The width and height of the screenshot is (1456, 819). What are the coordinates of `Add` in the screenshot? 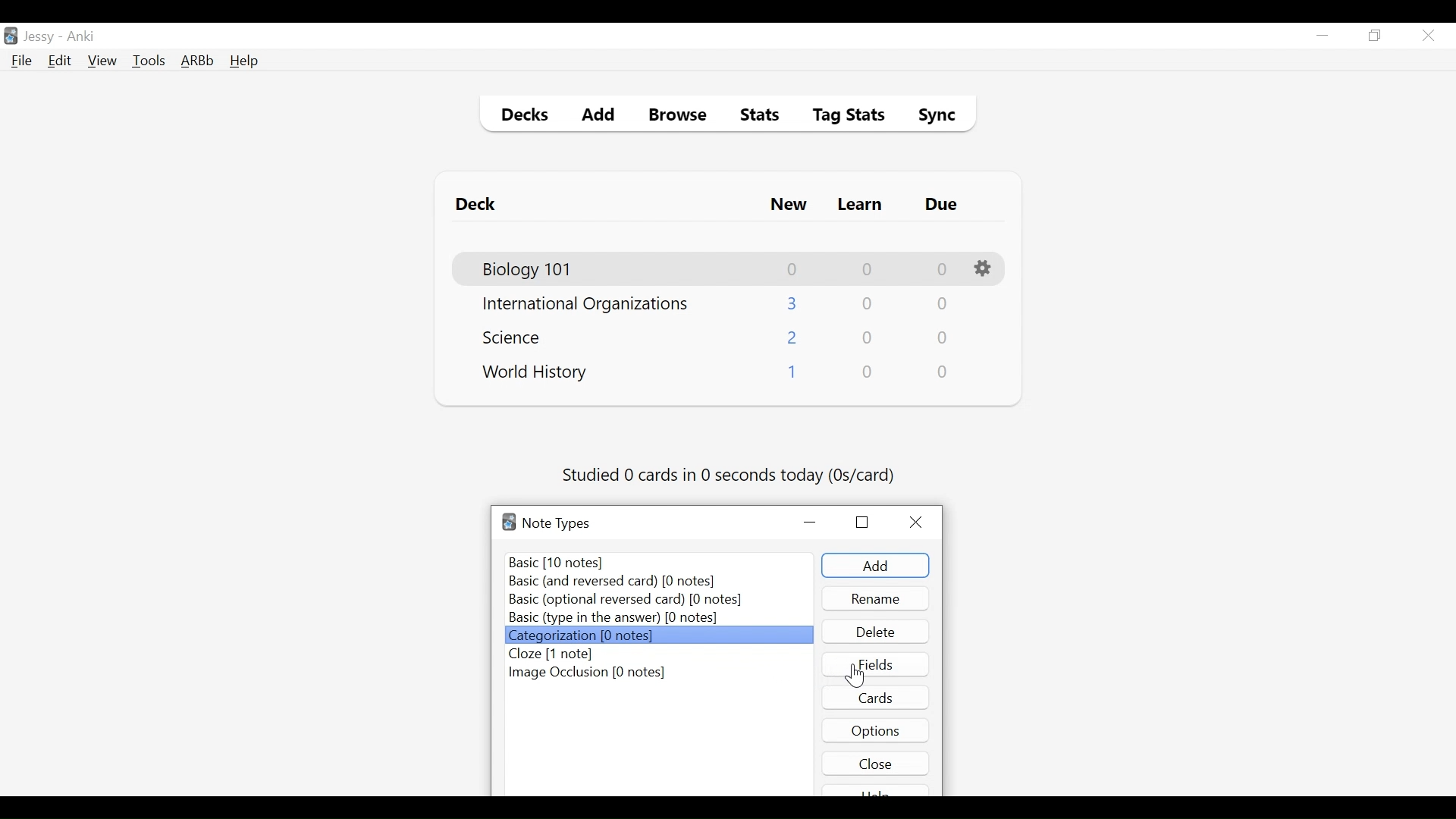 It's located at (599, 117).